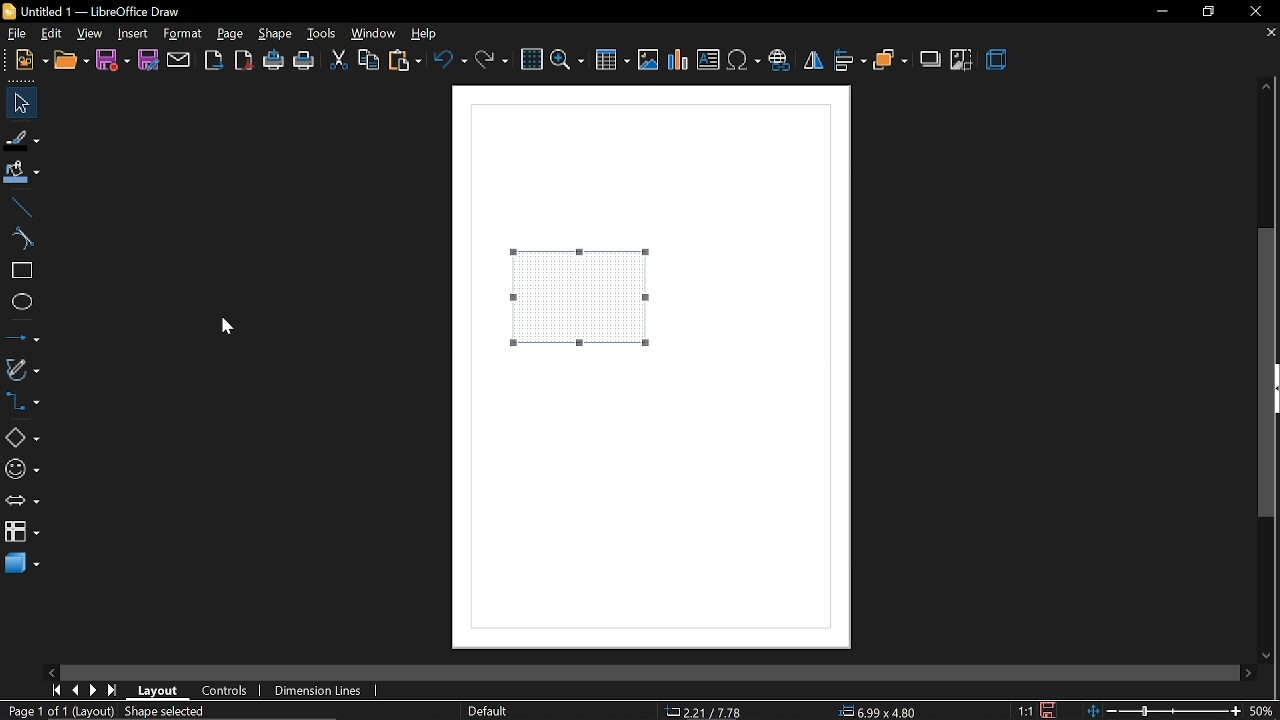  I want to click on view, so click(92, 34).